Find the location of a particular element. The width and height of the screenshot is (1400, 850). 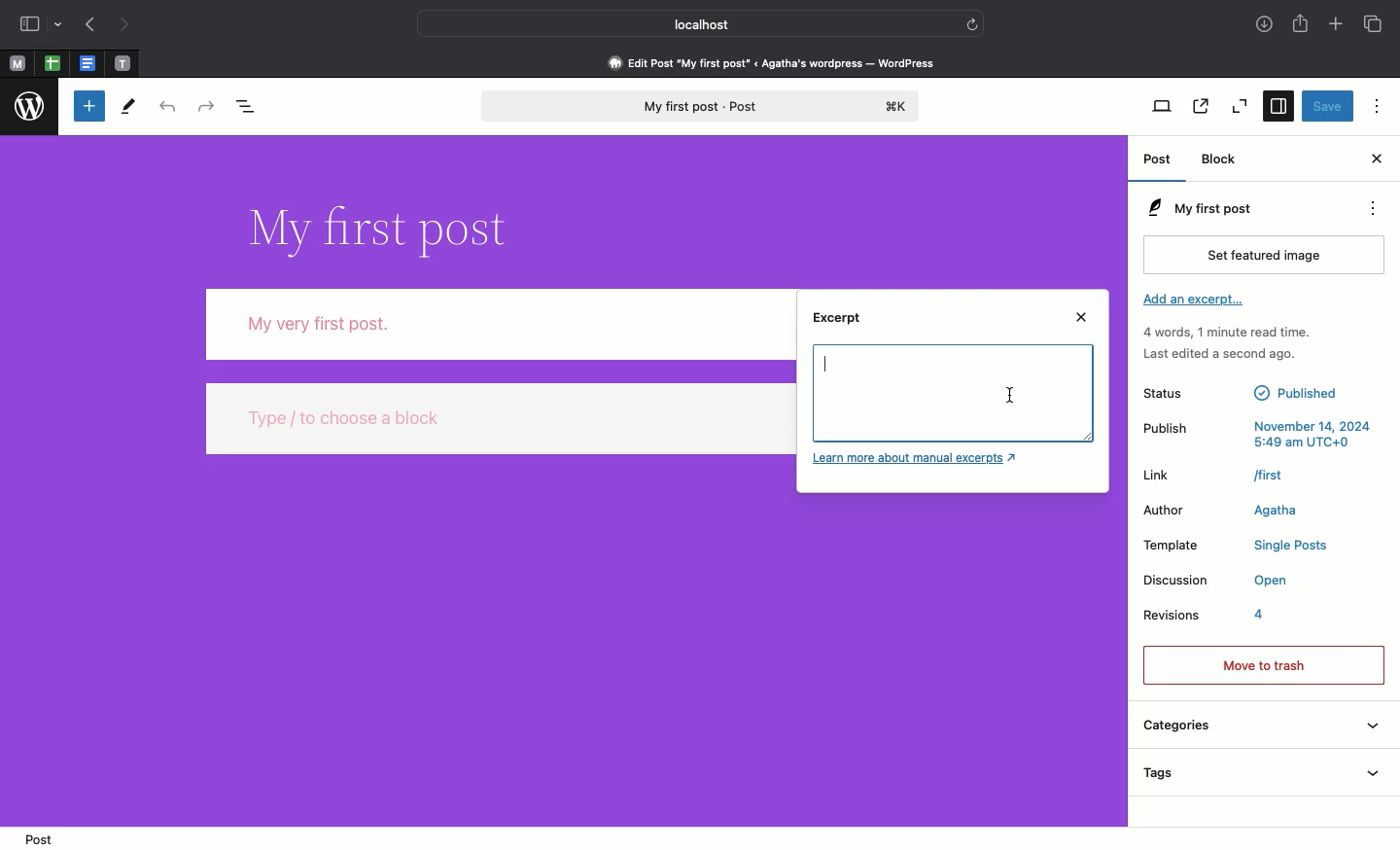

Block is located at coordinates (1224, 159).